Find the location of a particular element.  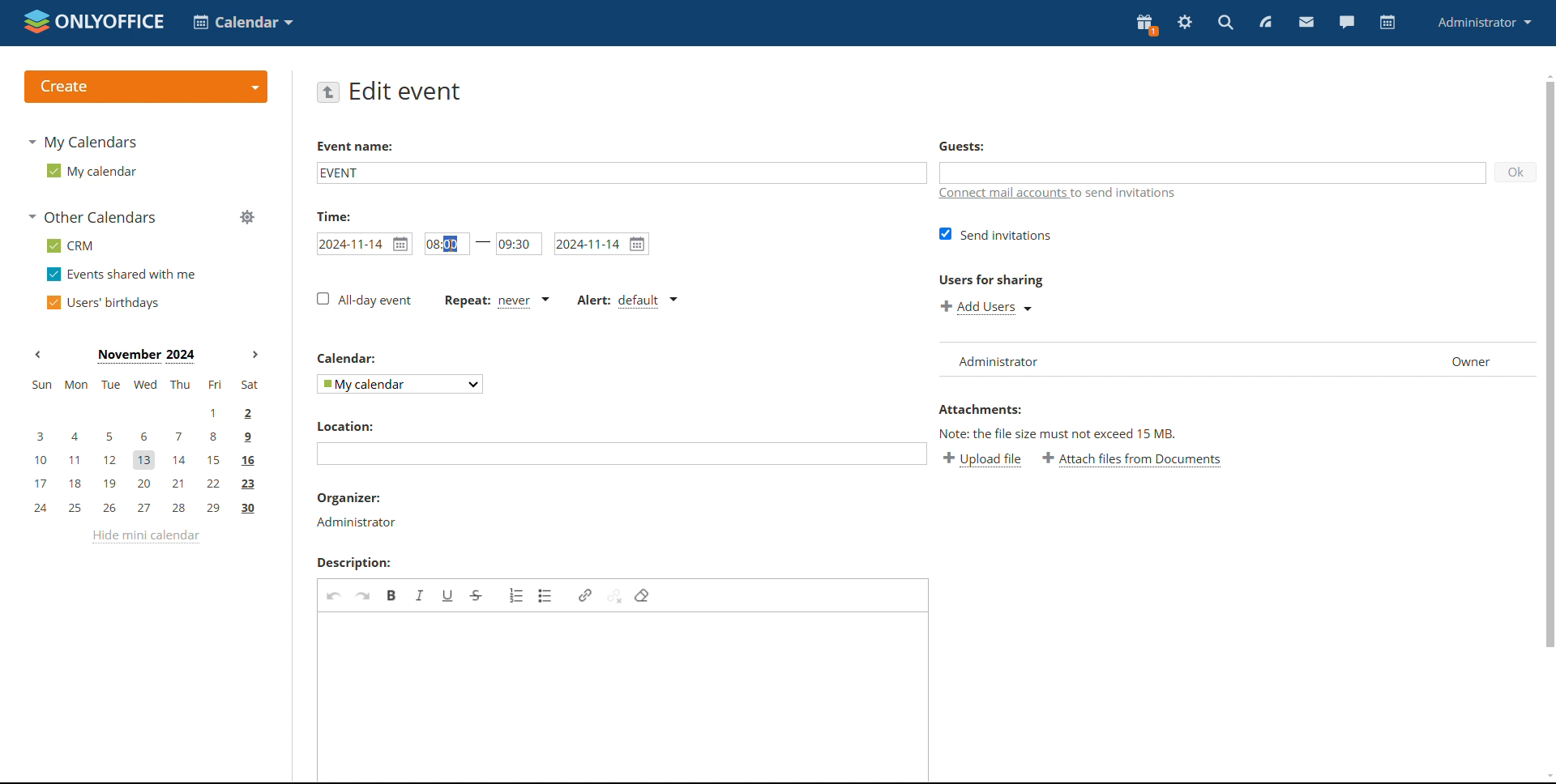

logo is located at coordinates (95, 23).